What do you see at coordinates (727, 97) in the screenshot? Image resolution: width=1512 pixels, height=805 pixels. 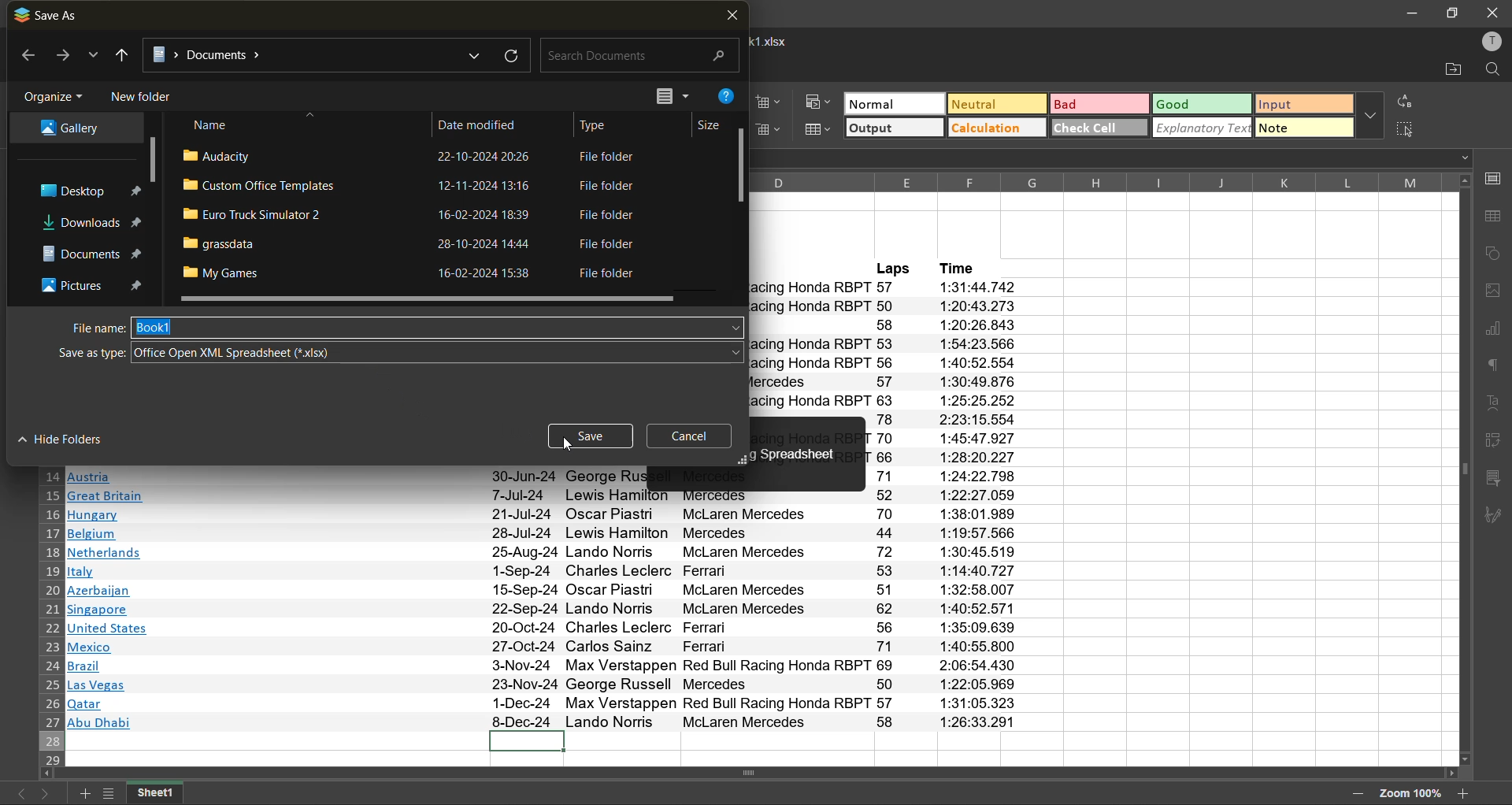 I see `help` at bounding box center [727, 97].